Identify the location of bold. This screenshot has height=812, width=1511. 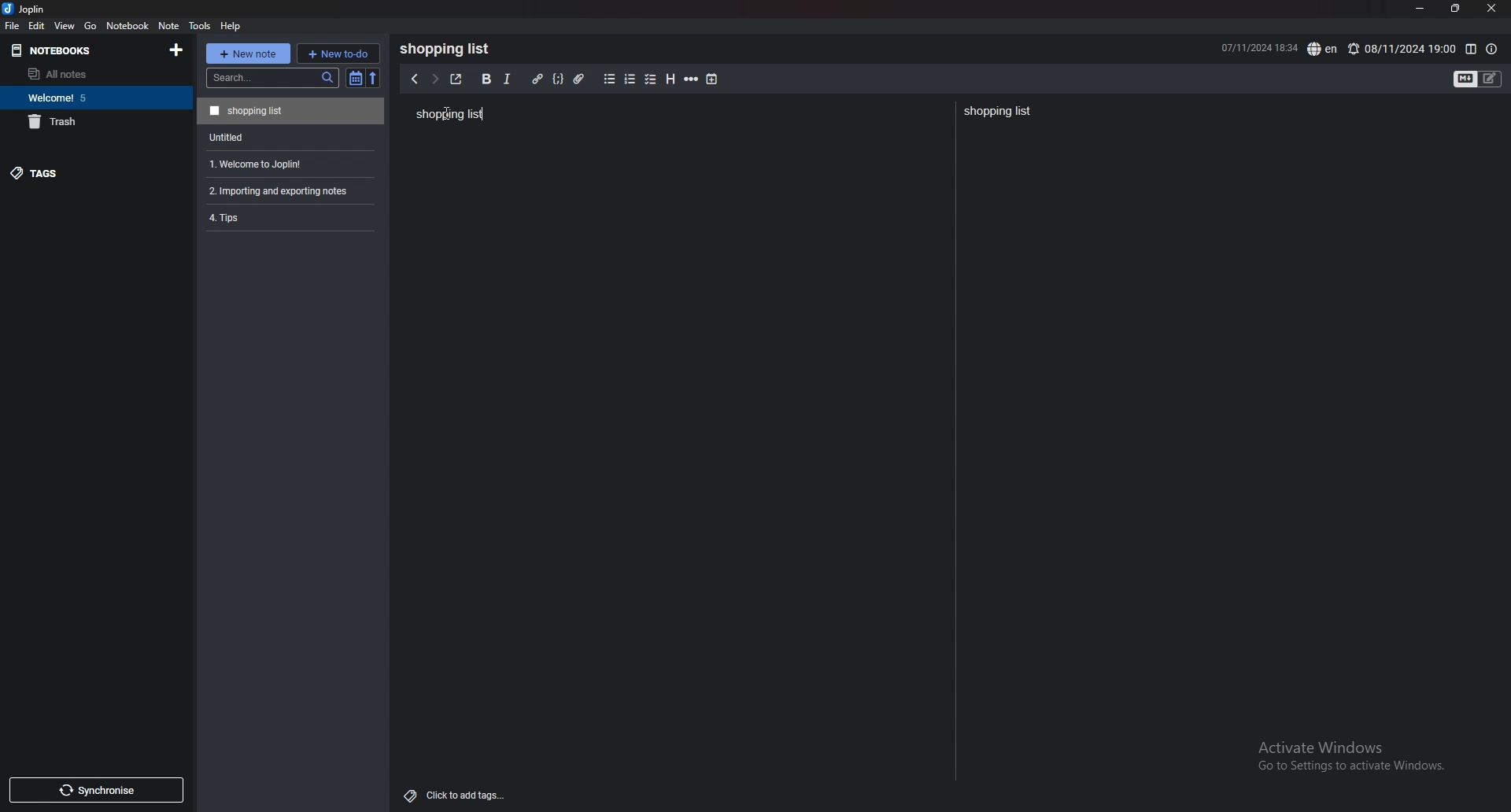
(486, 79).